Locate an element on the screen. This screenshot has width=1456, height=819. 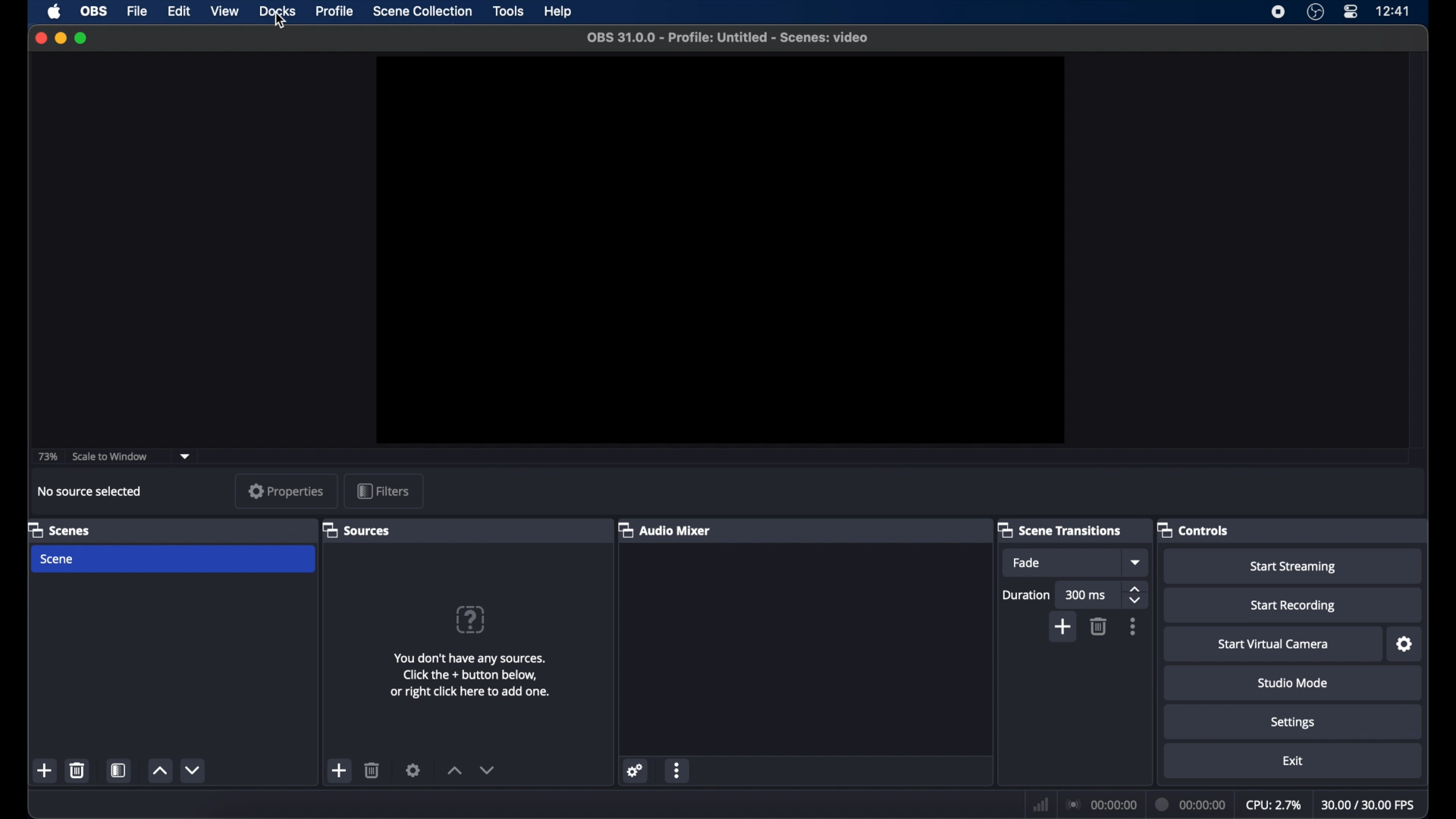
studio mode is located at coordinates (1293, 682).